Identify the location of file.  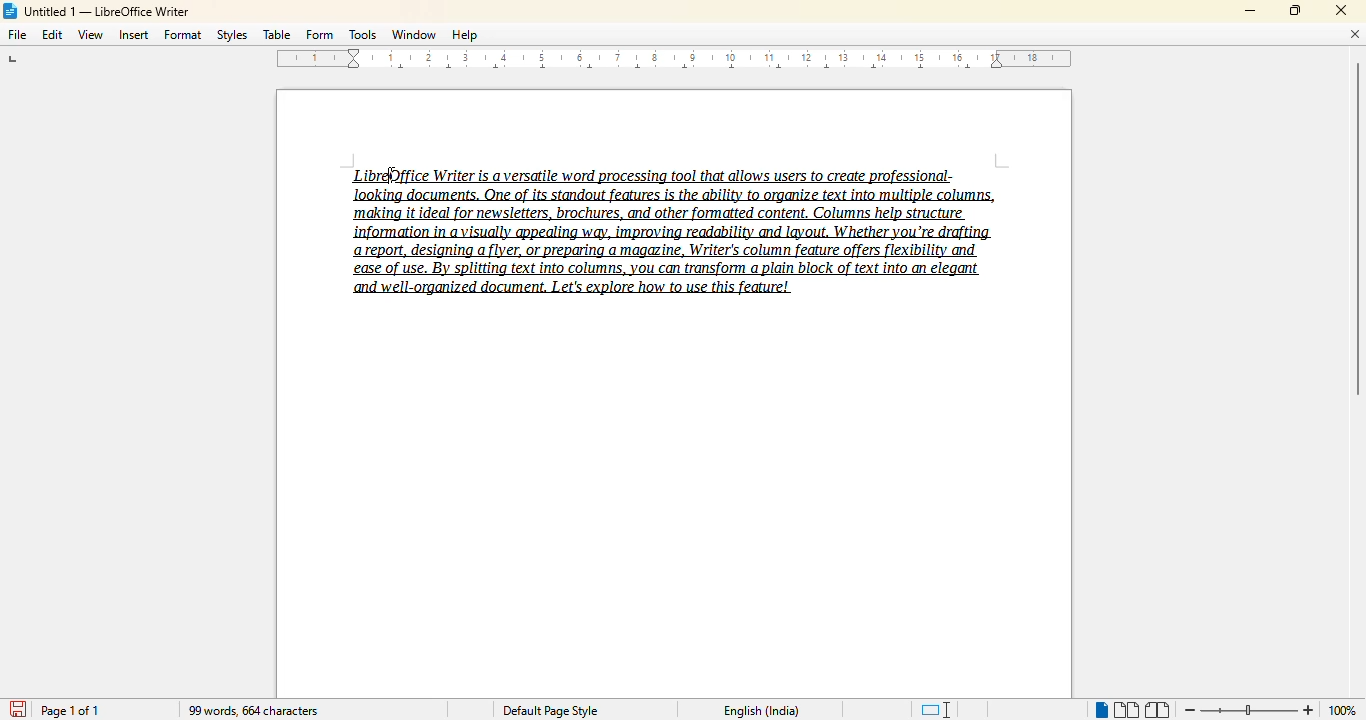
(16, 34).